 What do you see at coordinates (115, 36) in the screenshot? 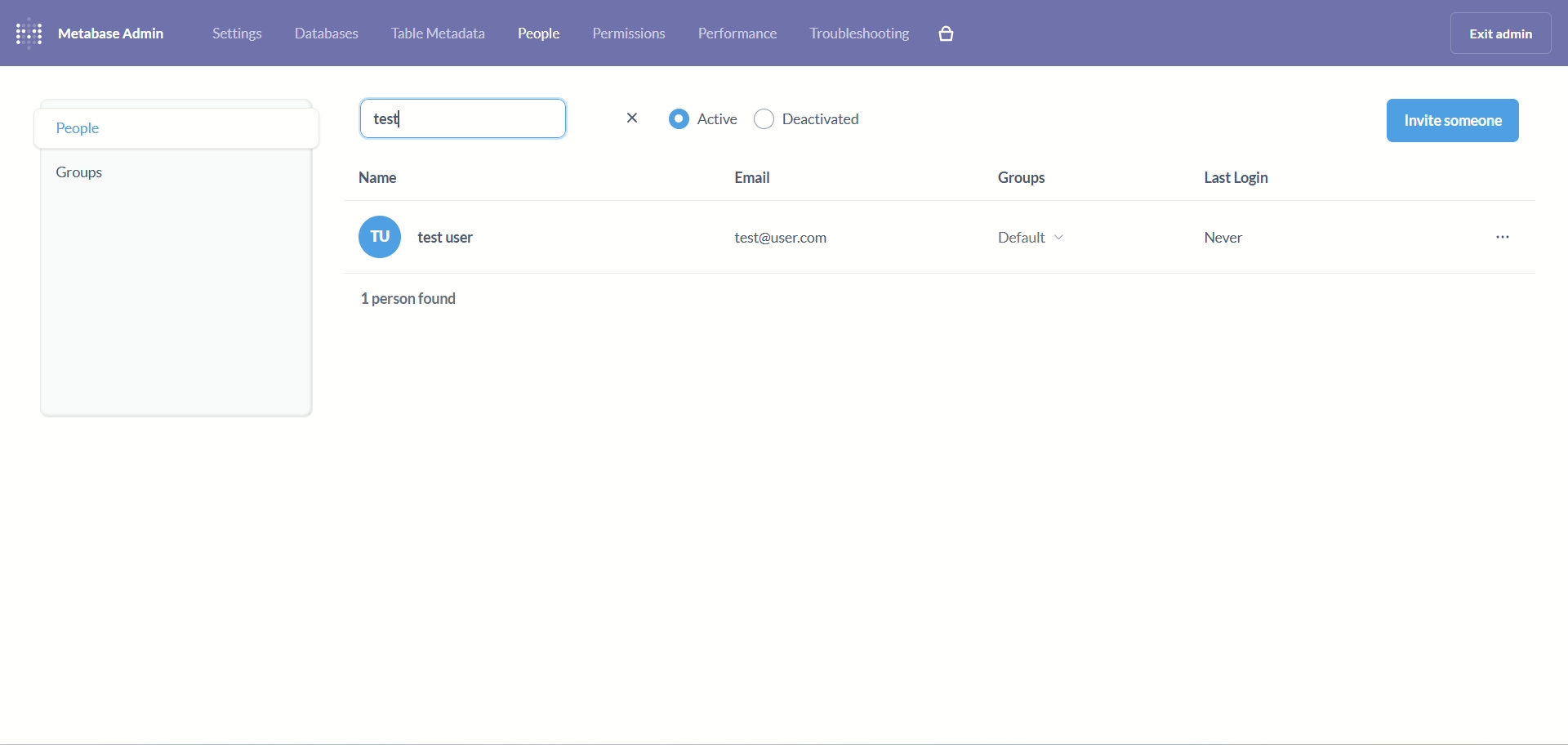
I see `metabase admin` at bounding box center [115, 36].